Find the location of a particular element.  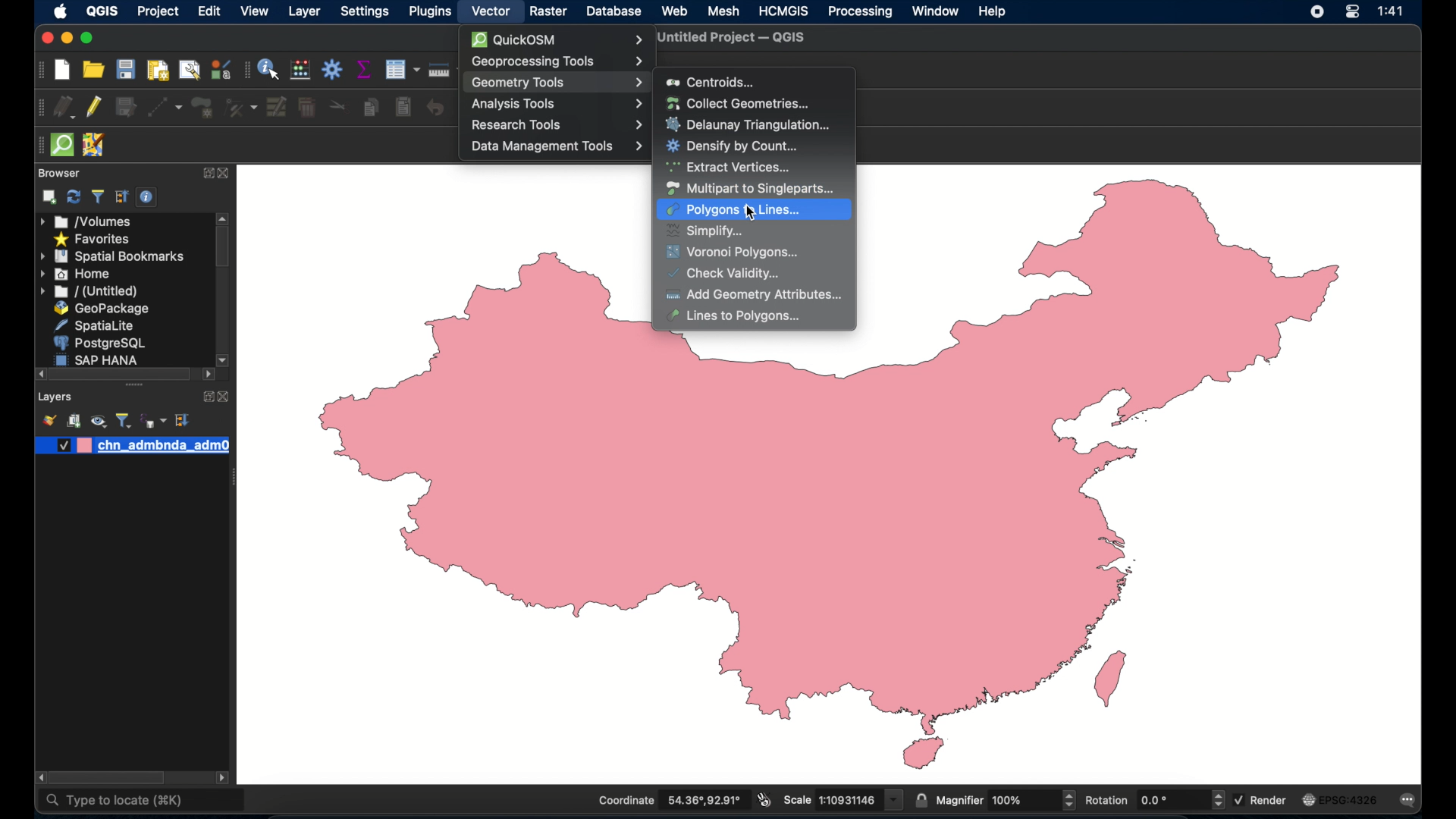

apple icon is located at coordinates (61, 12).